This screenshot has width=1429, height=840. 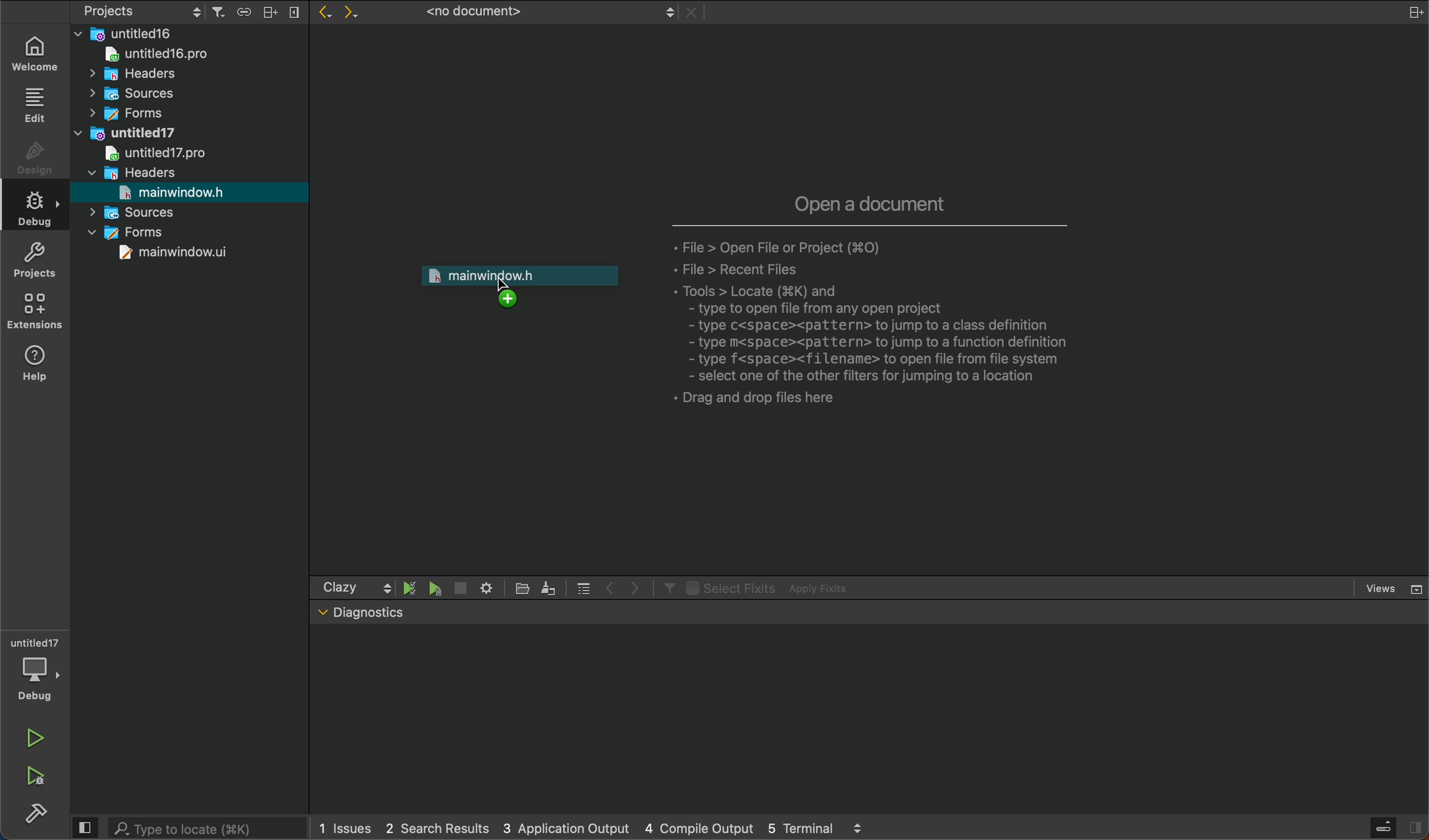 I want to click on pause/resume, so click(x=411, y=587).